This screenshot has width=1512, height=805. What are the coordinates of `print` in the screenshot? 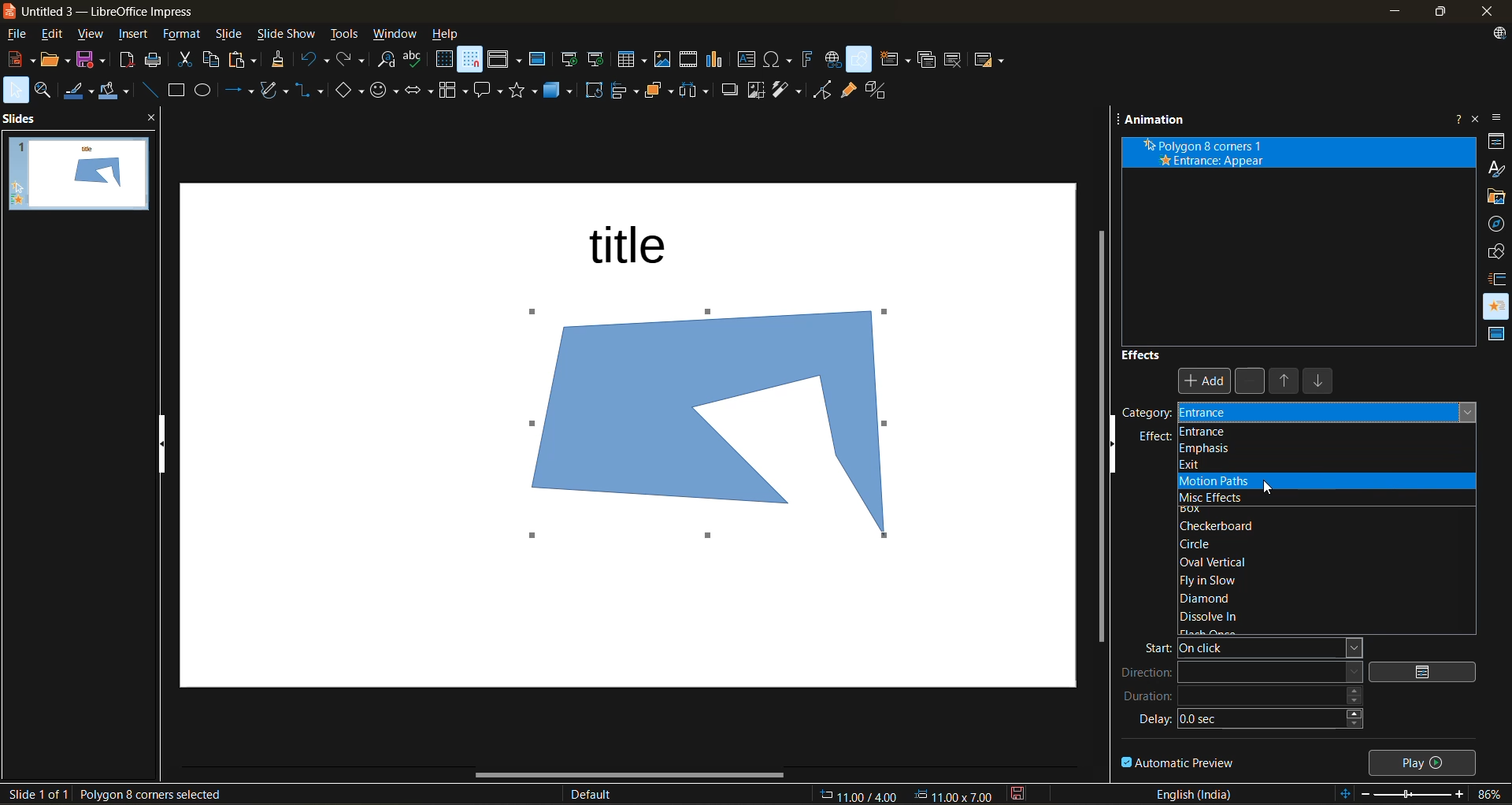 It's located at (158, 61).